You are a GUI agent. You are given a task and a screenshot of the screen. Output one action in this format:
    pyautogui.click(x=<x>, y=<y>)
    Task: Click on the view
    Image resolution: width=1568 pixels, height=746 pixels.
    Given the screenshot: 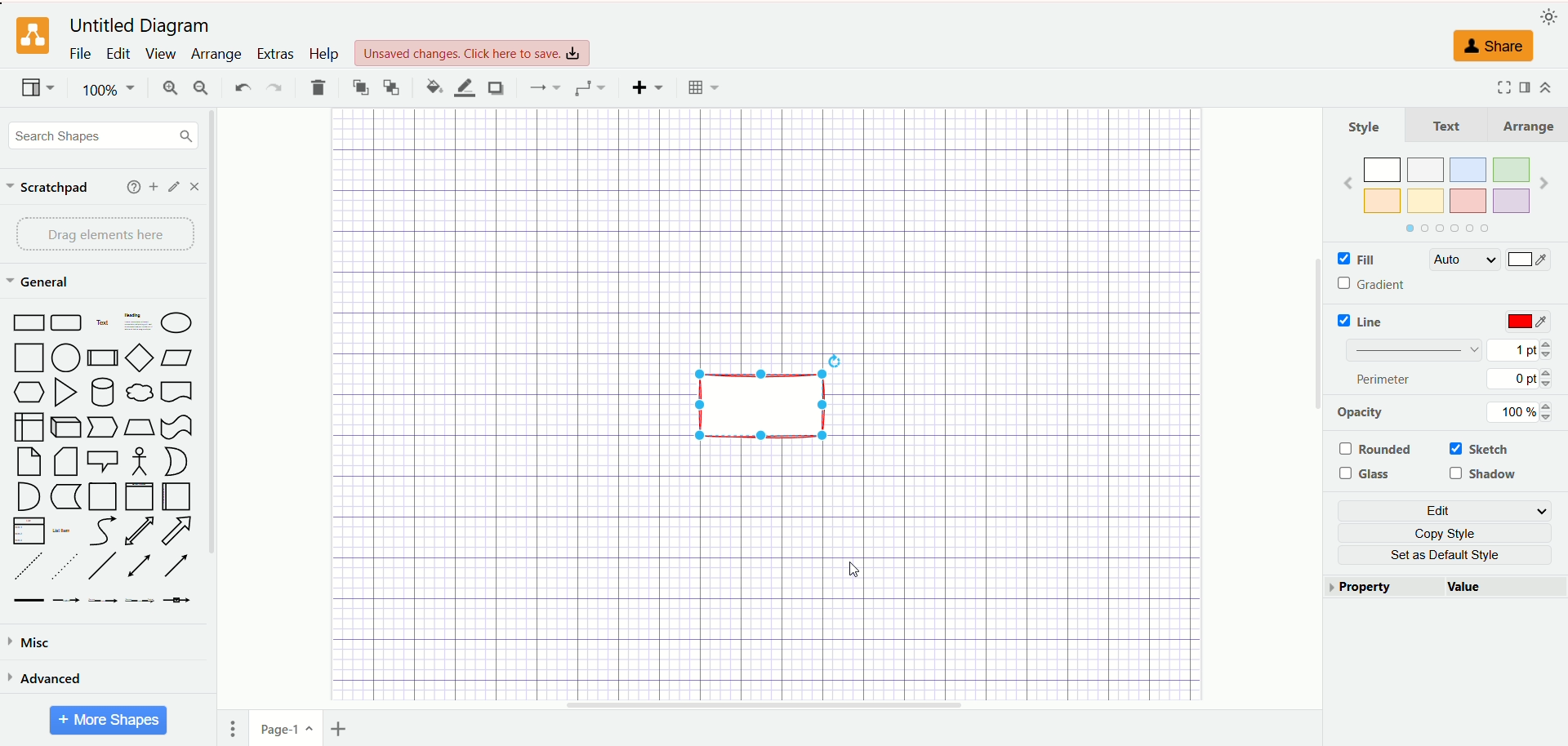 What is the action you would take?
    pyautogui.click(x=34, y=87)
    